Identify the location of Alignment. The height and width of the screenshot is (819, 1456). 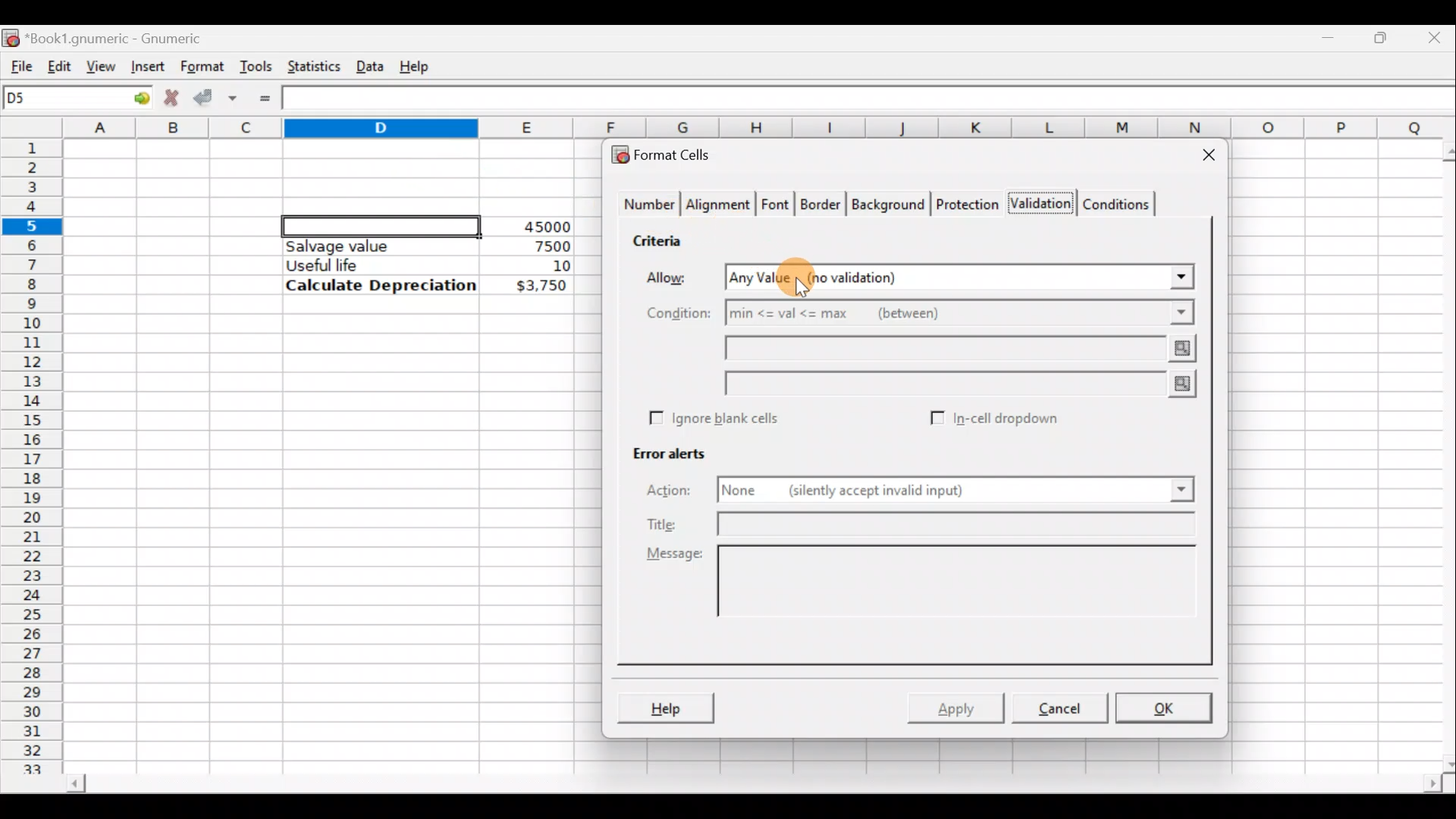
(719, 206).